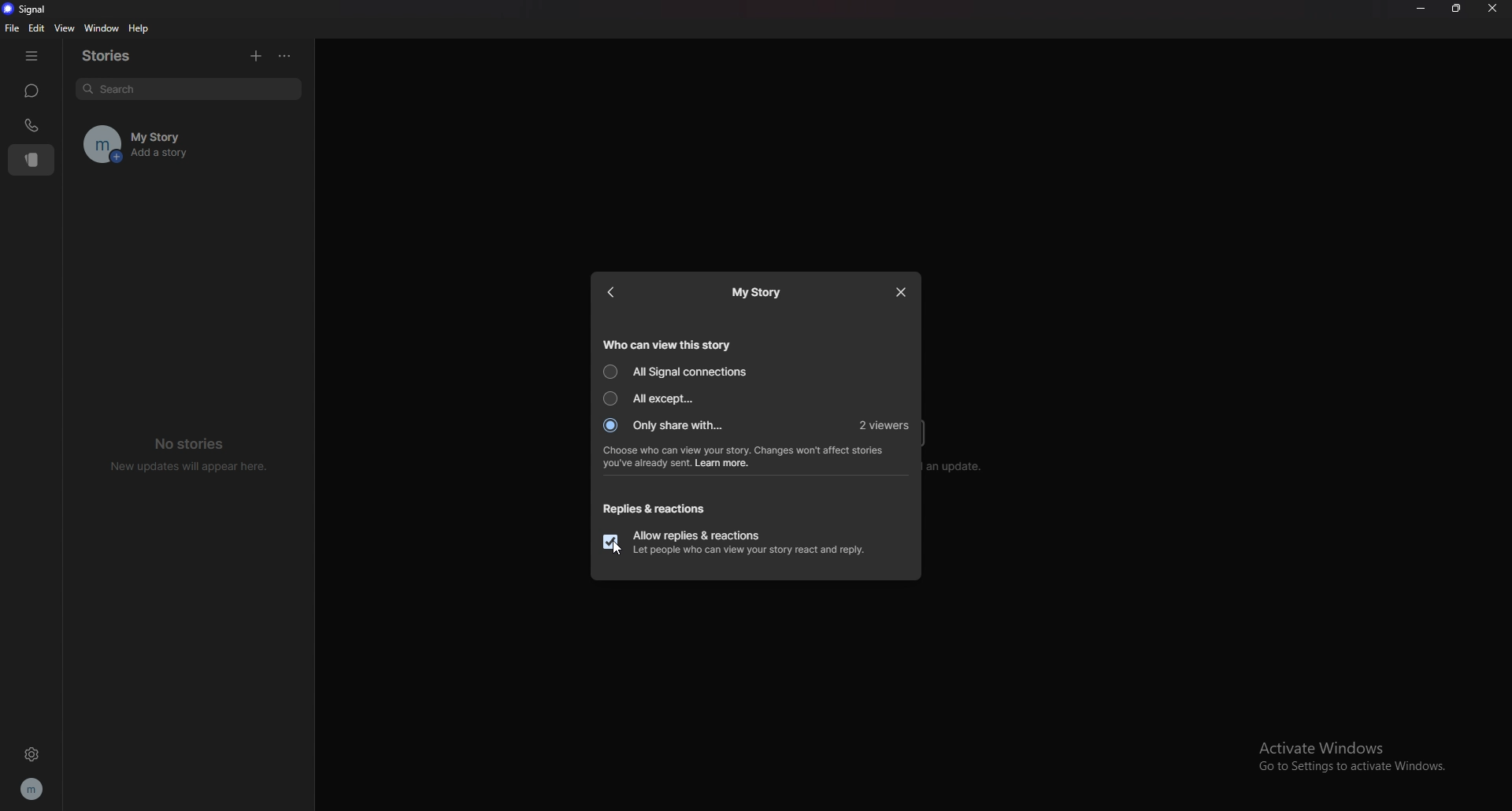 This screenshot has height=811, width=1512. What do you see at coordinates (1358, 768) in the screenshot?
I see `Go to Settings to activate Windows.` at bounding box center [1358, 768].